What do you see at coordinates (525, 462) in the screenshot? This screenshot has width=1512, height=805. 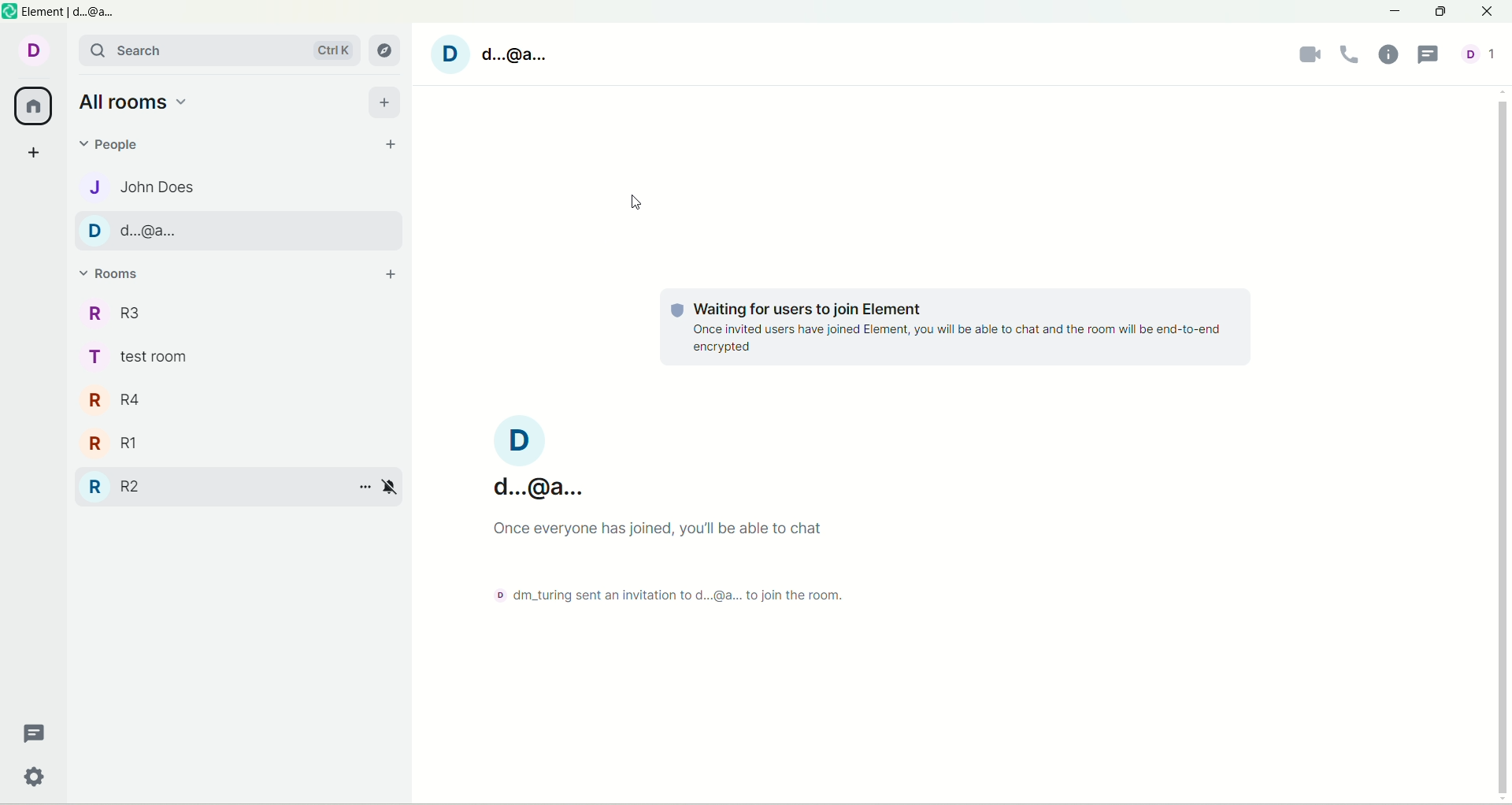 I see `account` at bounding box center [525, 462].